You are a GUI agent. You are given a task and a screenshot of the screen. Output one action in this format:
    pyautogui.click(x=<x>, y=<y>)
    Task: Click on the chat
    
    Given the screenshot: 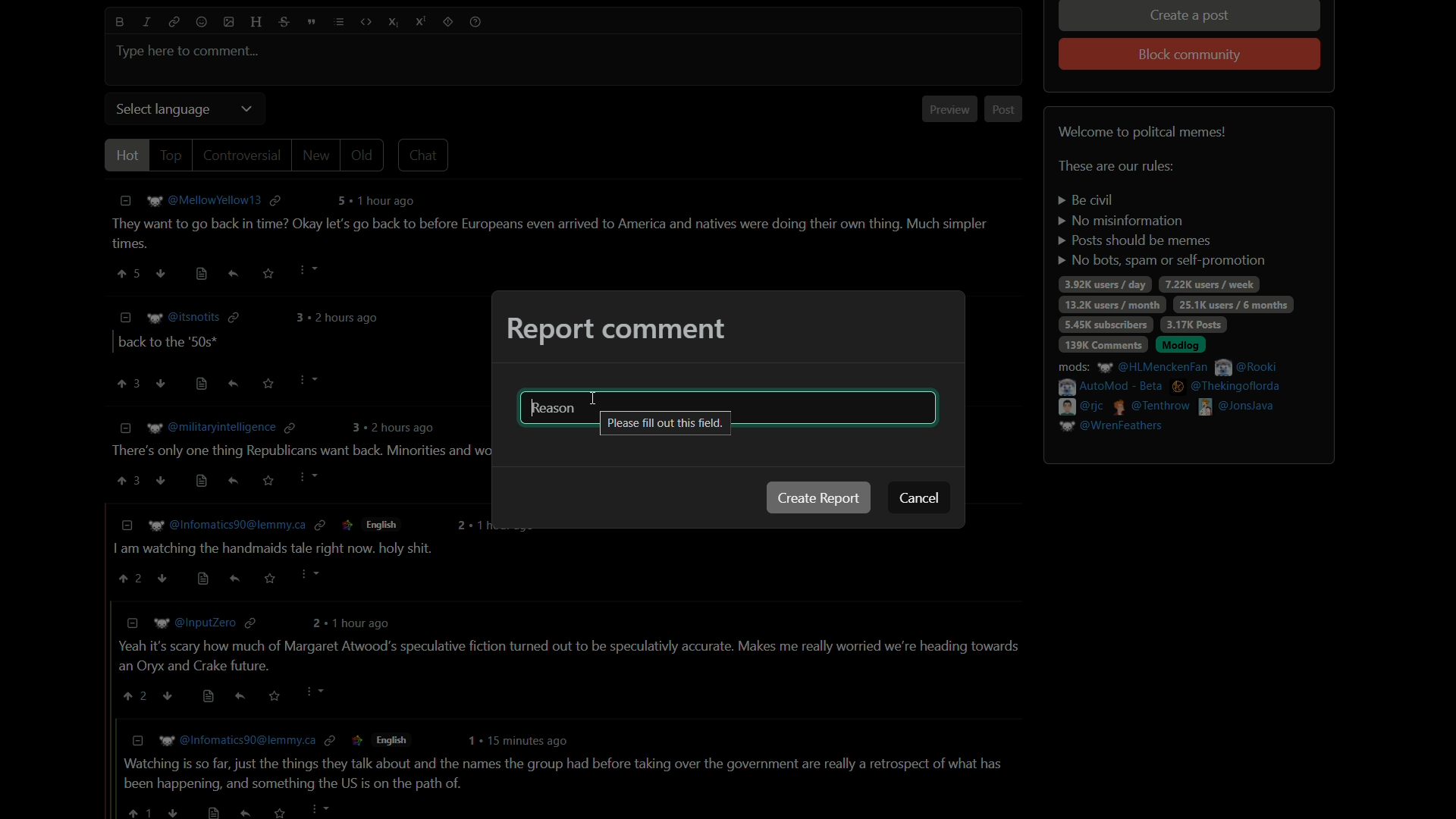 What is the action you would take?
    pyautogui.click(x=424, y=155)
    